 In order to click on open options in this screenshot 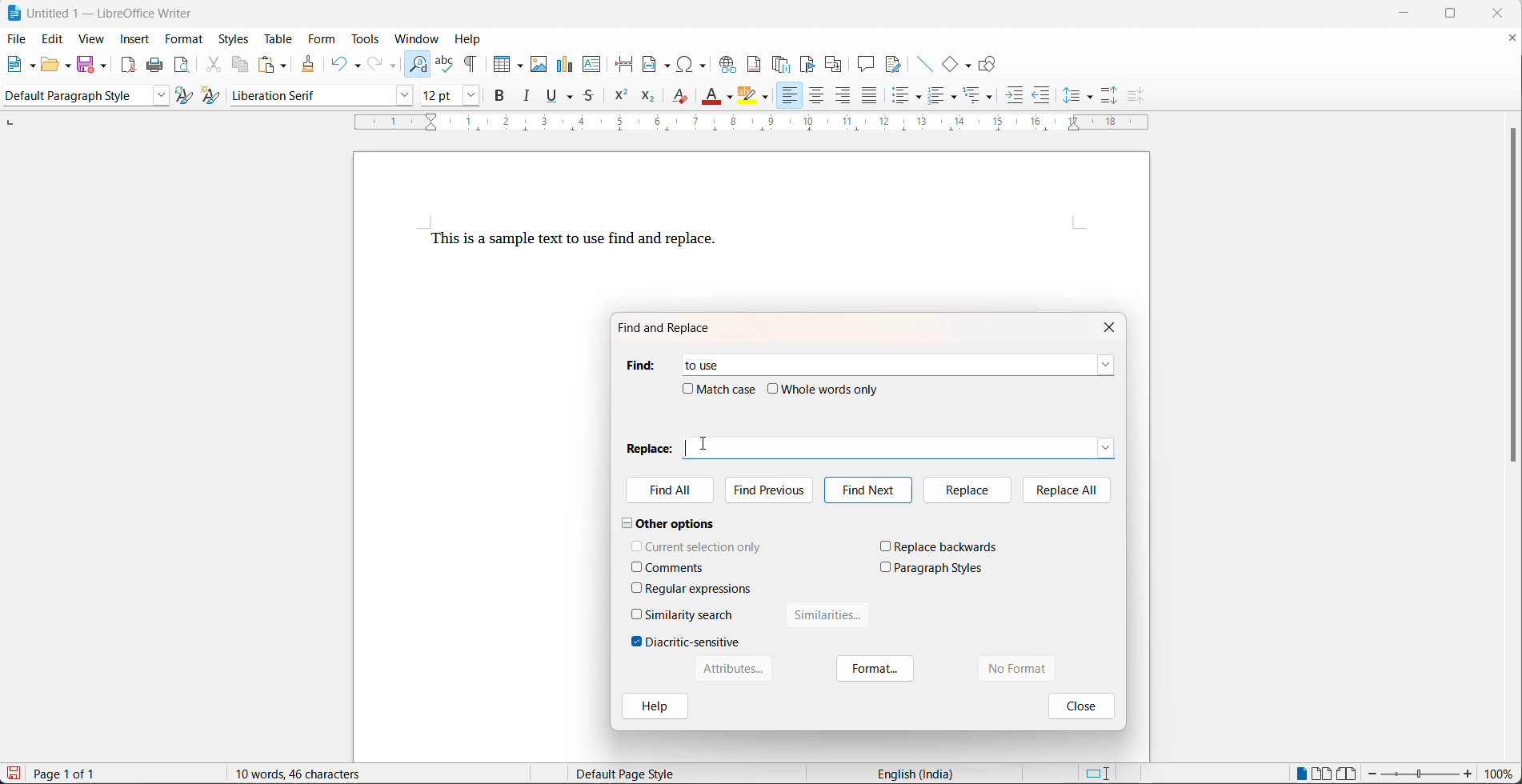, I will do `click(69, 64)`.